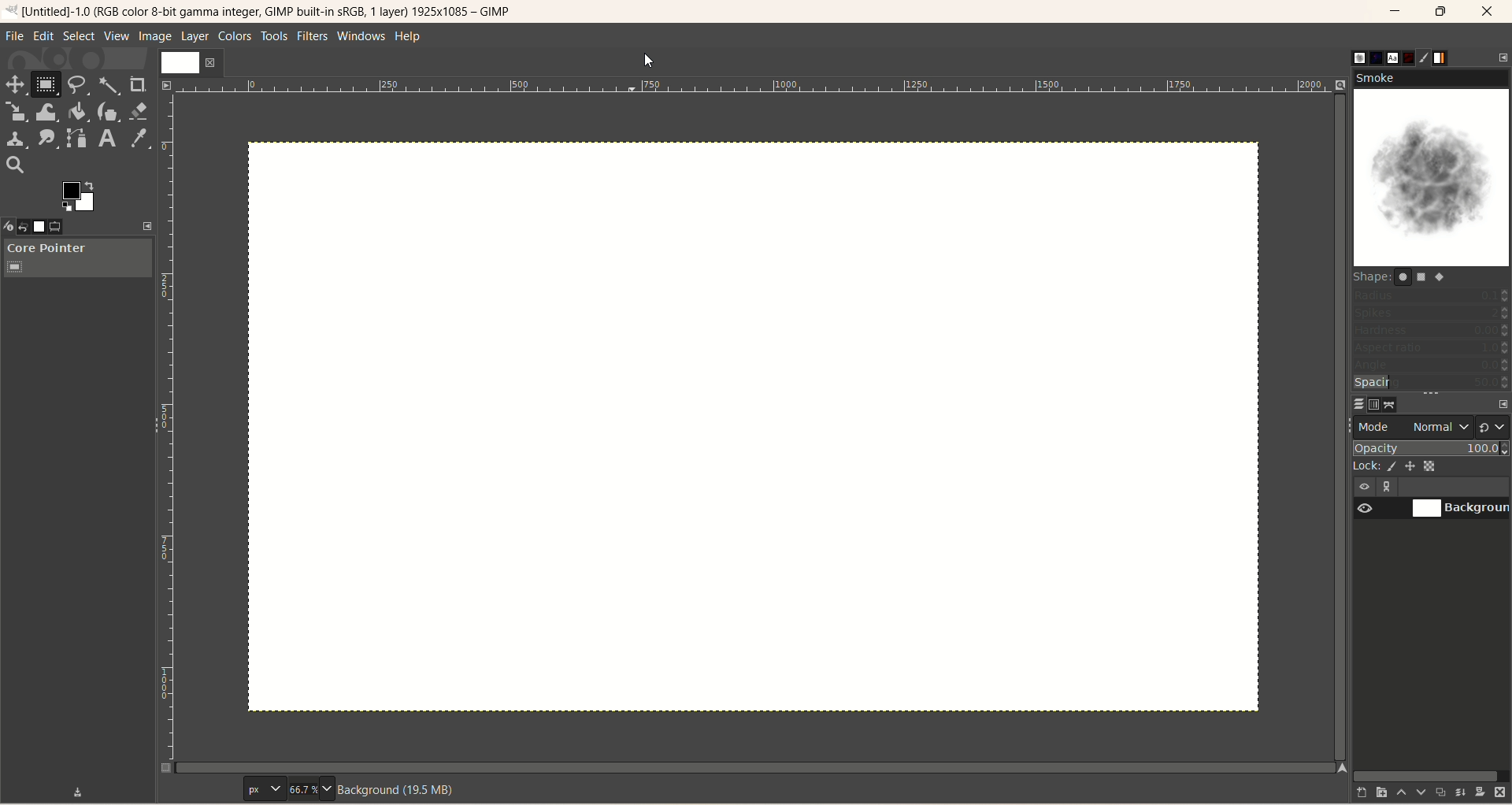 The height and width of the screenshot is (805, 1512). I want to click on help, so click(406, 37).